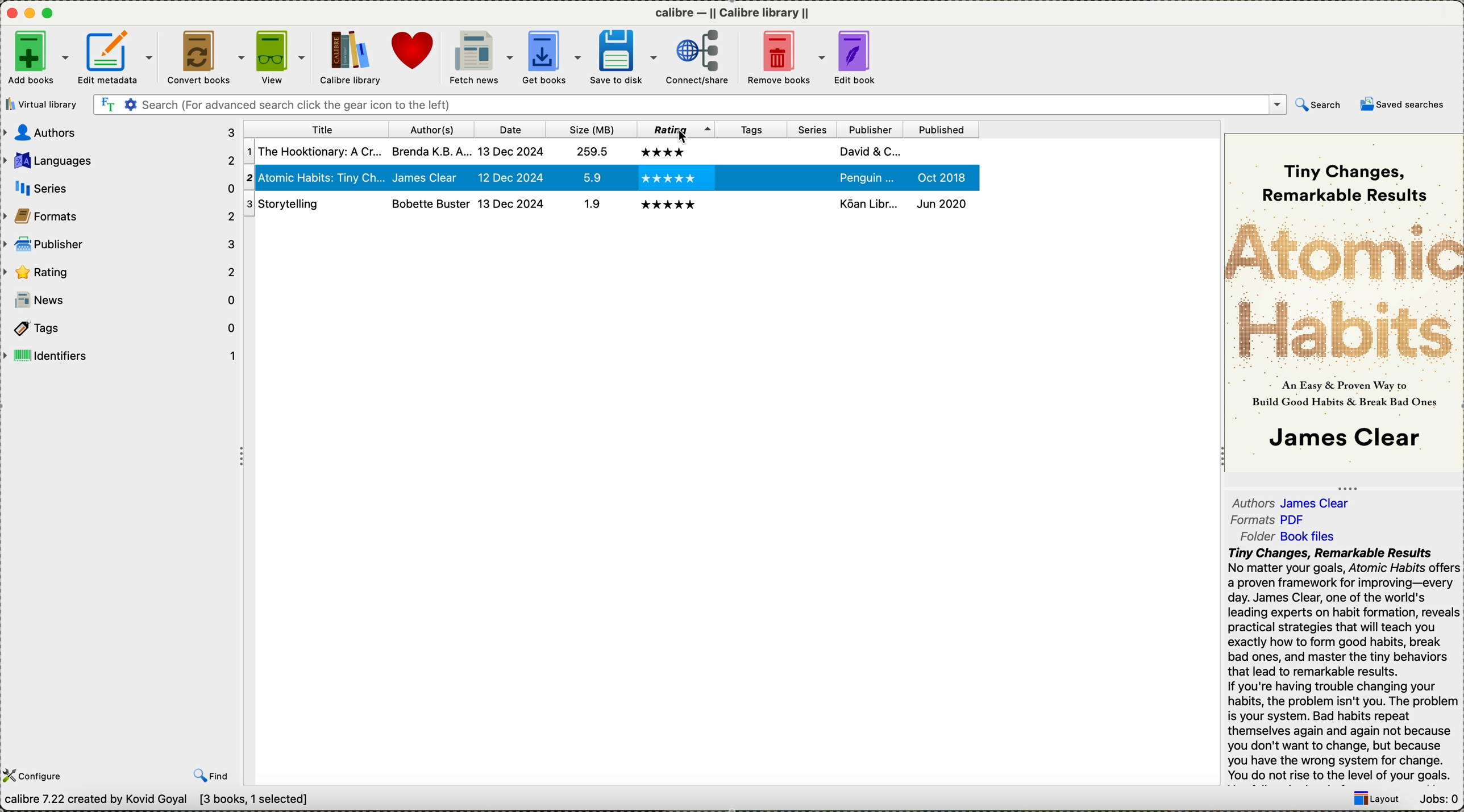 The height and width of the screenshot is (812, 1464). Describe the element at coordinates (210, 776) in the screenshot. I see `find` at that location.